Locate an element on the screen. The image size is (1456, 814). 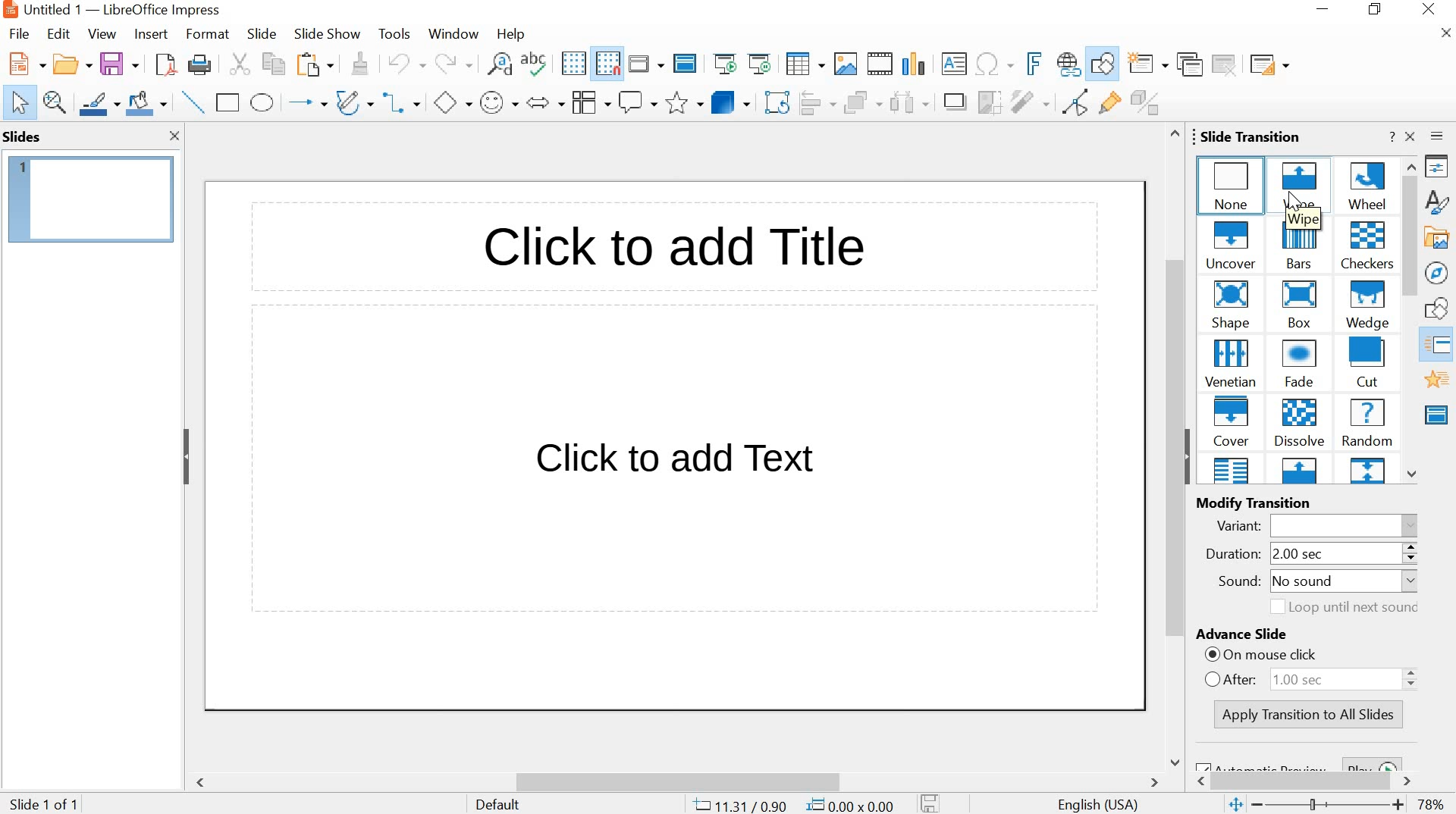
INSERT is located at coordinates (151, 36).